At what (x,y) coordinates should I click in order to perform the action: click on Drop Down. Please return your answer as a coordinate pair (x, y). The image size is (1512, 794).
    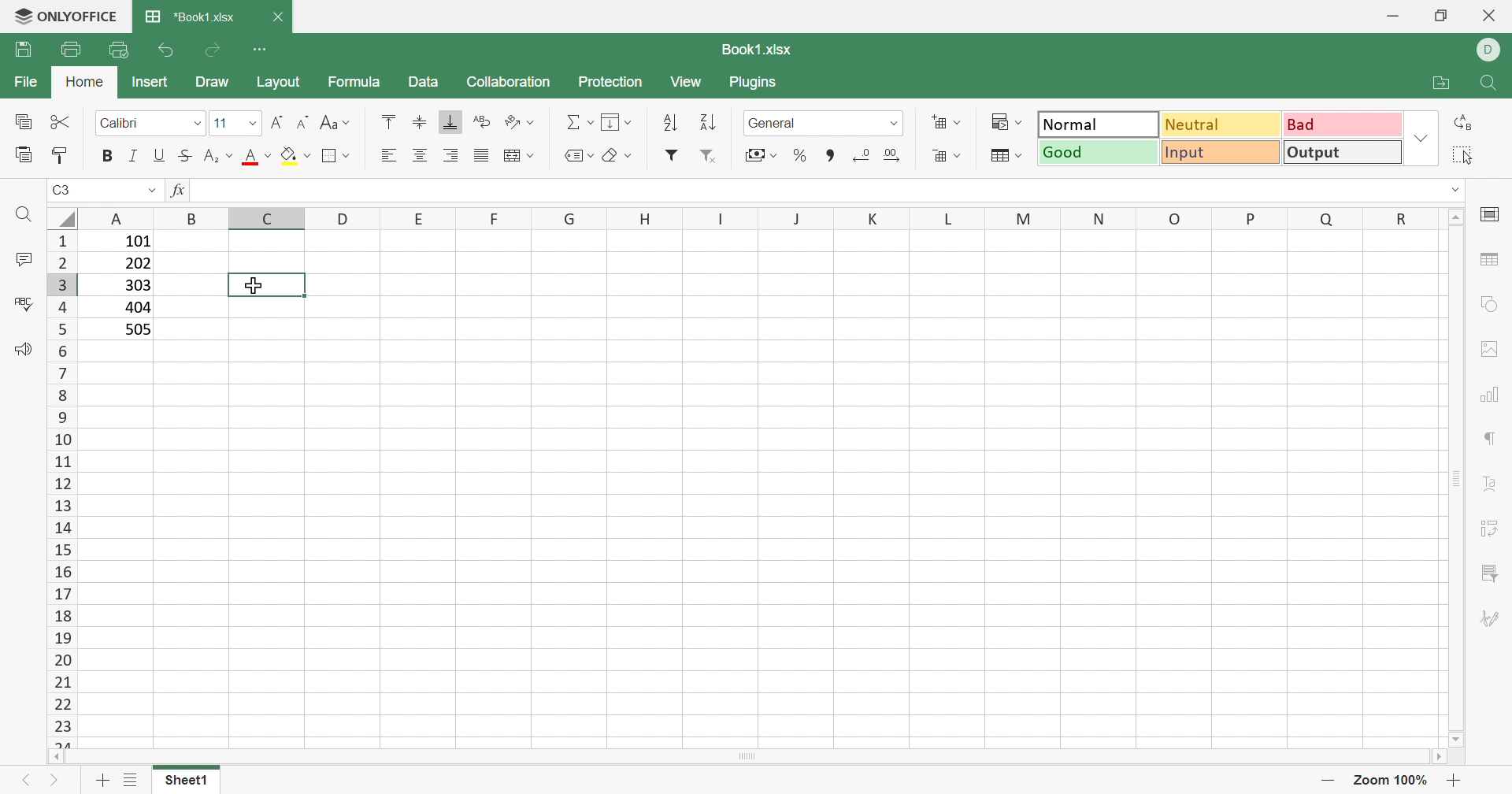
    Looking at the image, I should click on (250, 122).